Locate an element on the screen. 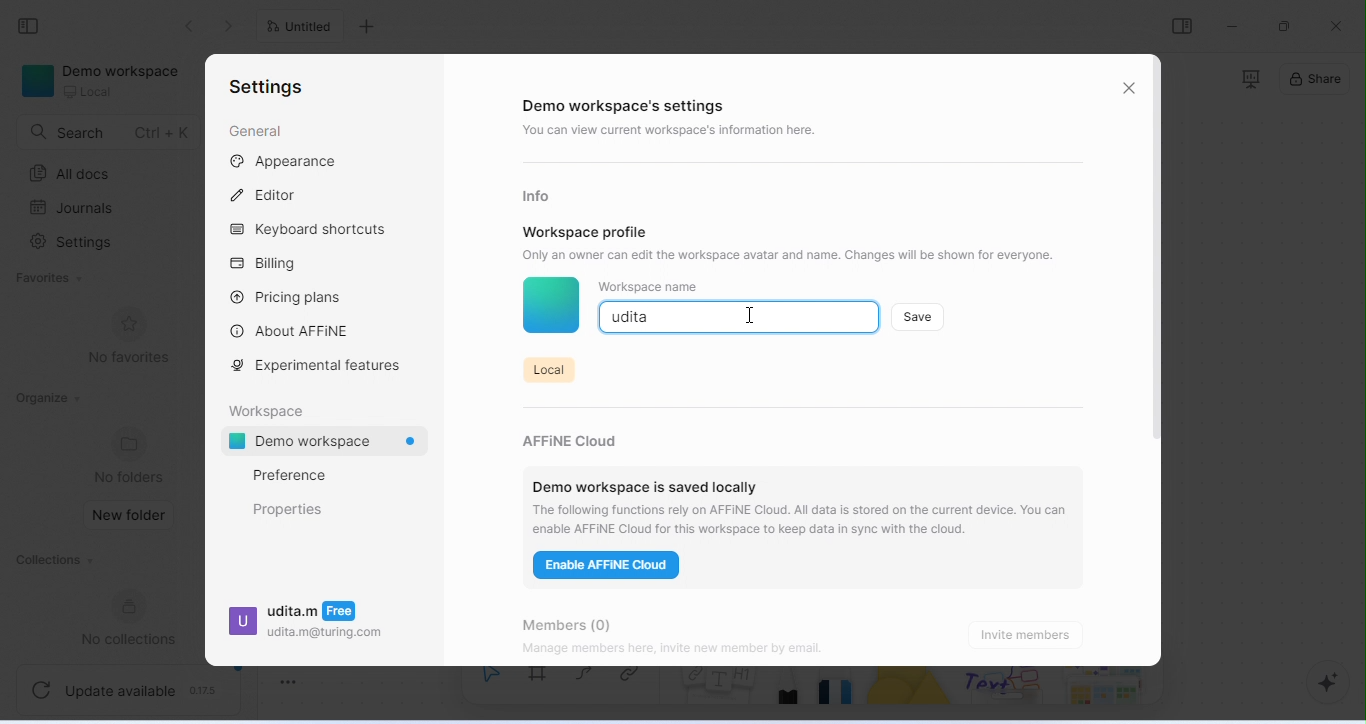  shape is located at coordinates (912, 694).